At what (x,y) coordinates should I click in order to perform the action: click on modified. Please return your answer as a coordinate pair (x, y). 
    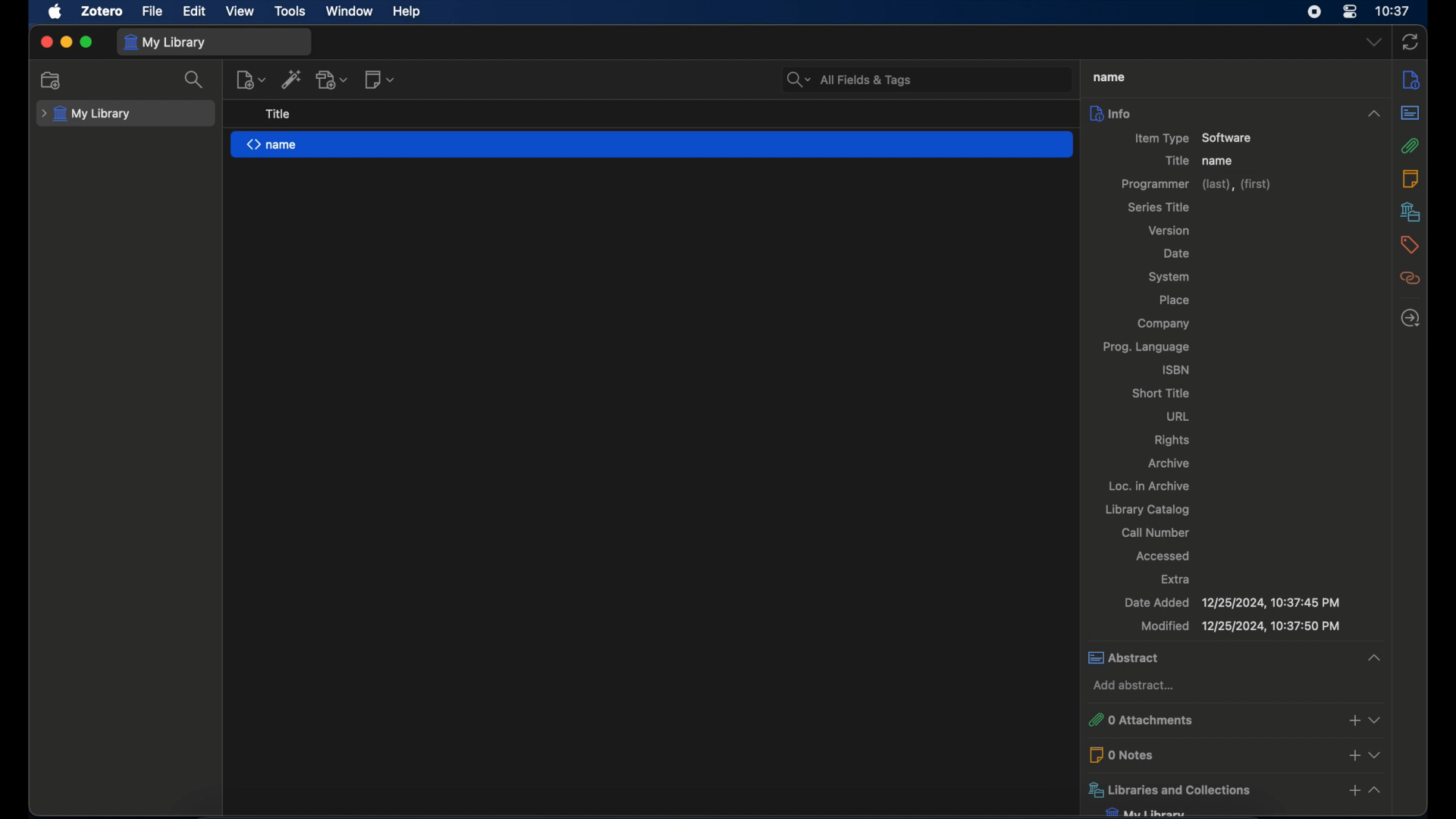
    Looking at the image, I should click on (1241, 627).